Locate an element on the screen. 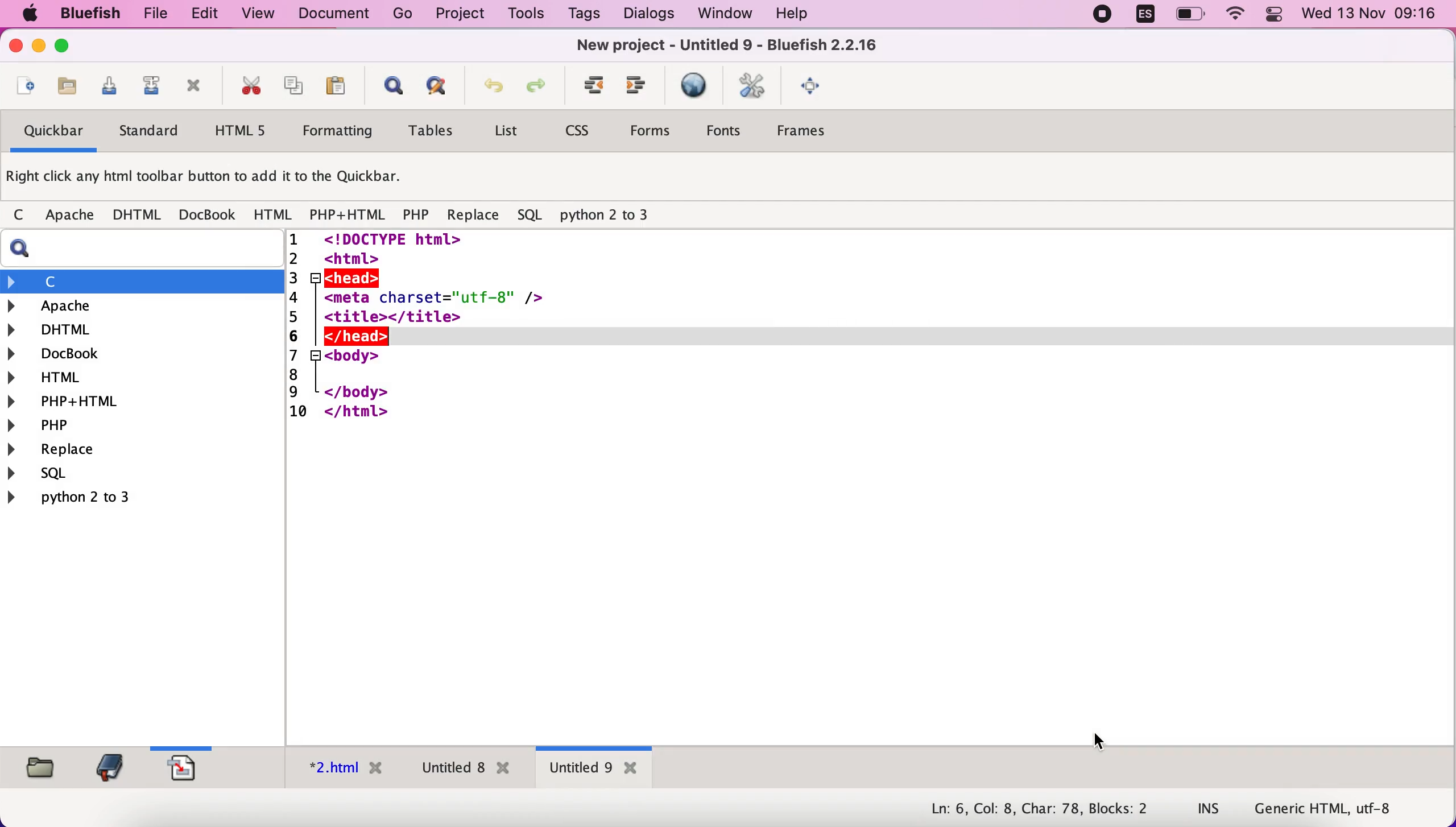  indent is located at coordinates (588, 90).